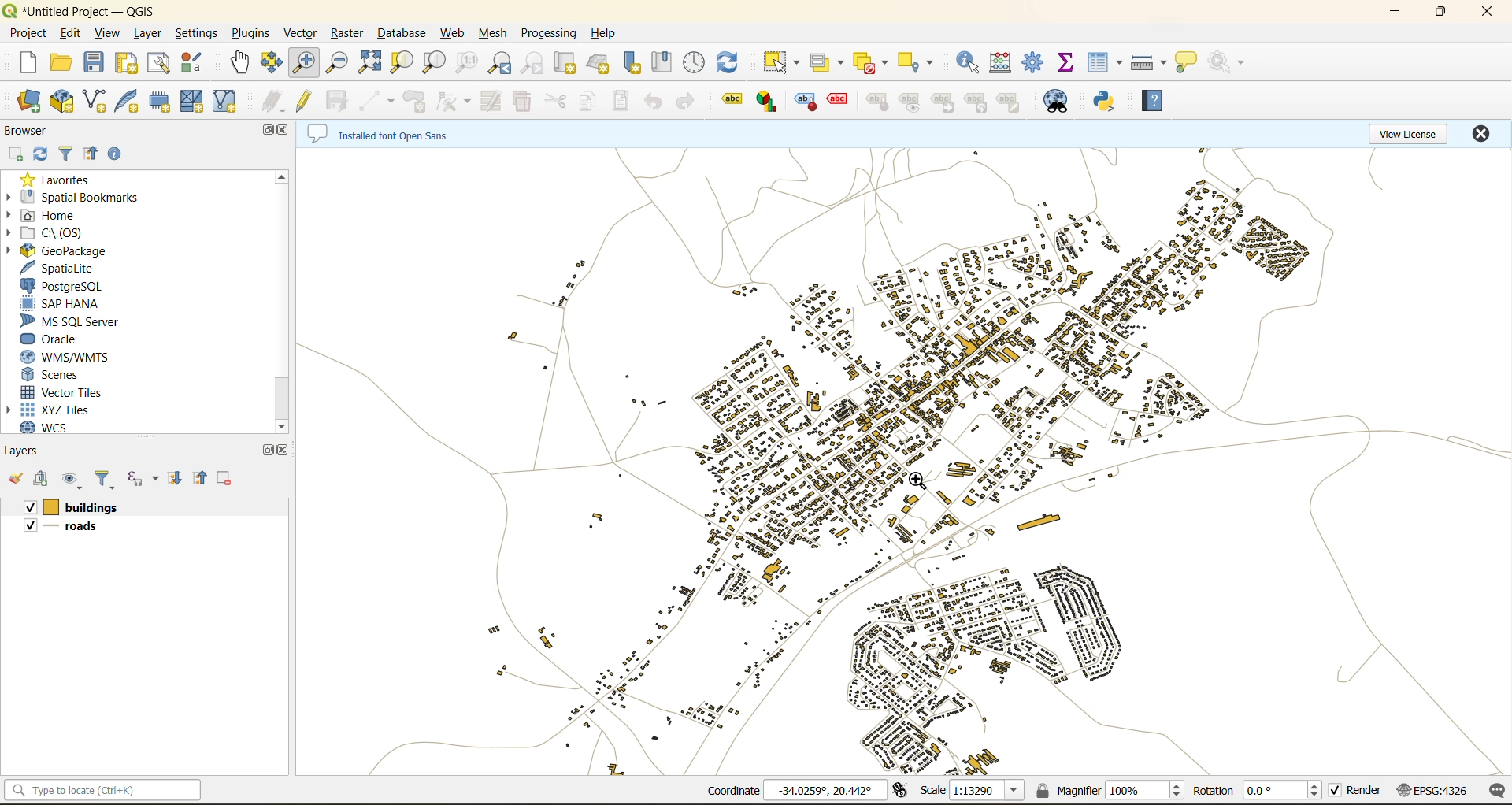  Describe the element at coordinates (106, 478) in the screenshot. I see `filter` at that location.